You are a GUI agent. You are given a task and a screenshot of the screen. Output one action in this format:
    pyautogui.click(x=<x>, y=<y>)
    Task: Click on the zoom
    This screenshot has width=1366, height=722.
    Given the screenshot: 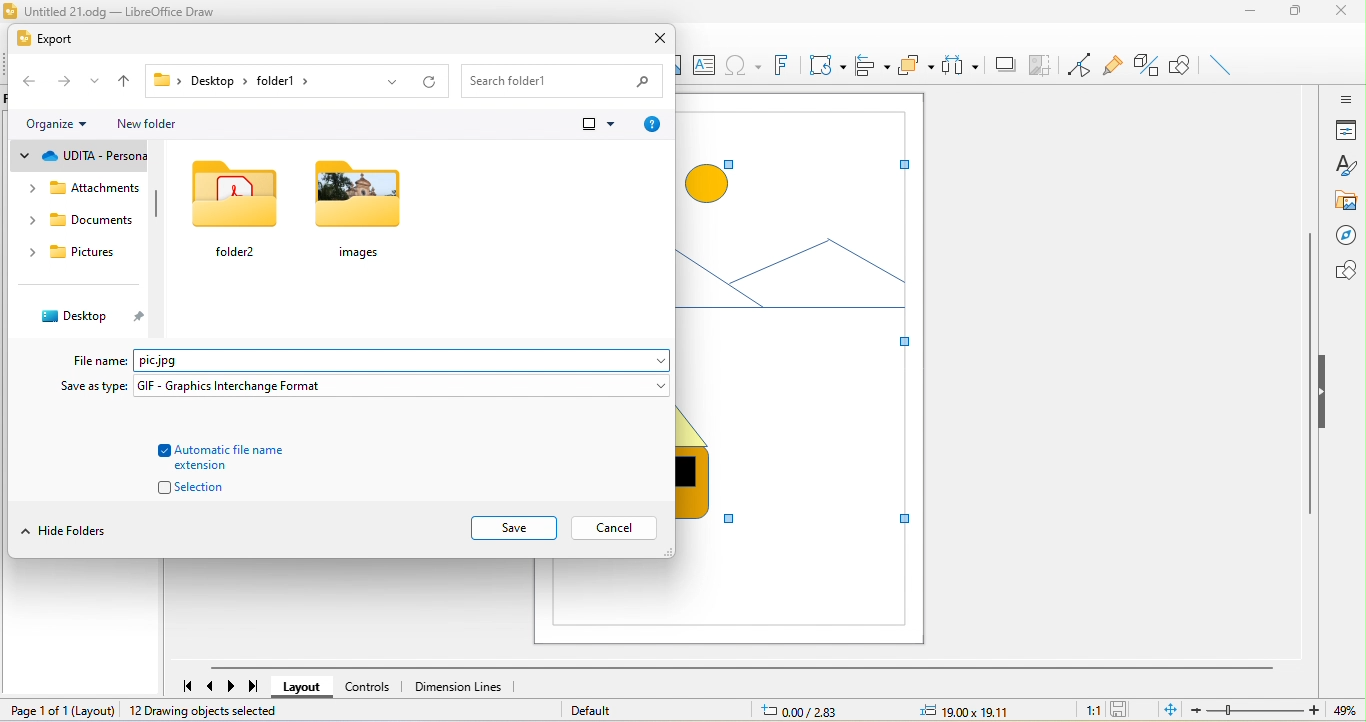 What is the action you would take?
    pyautogui.click(x=1279, y=710)
    